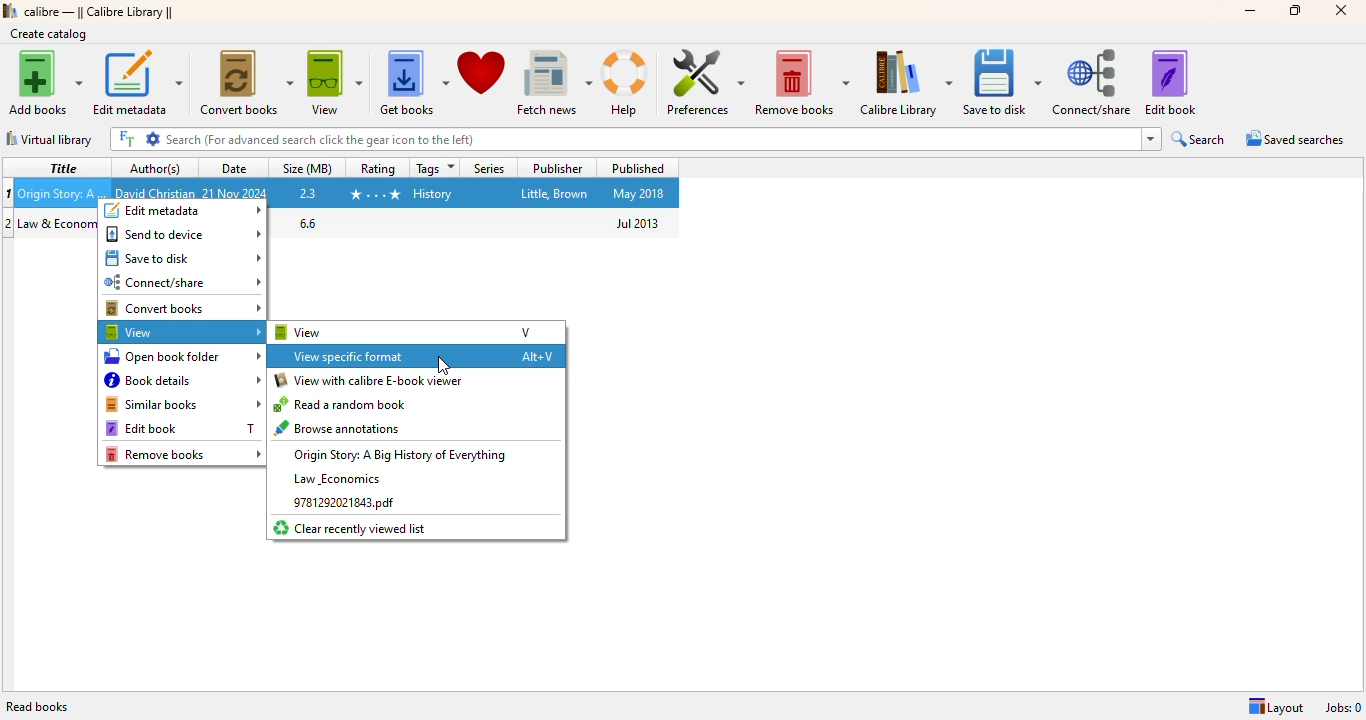  Describe the element at coordinates (1003, 83) in the screenshot. I see `save to disk` at that location.